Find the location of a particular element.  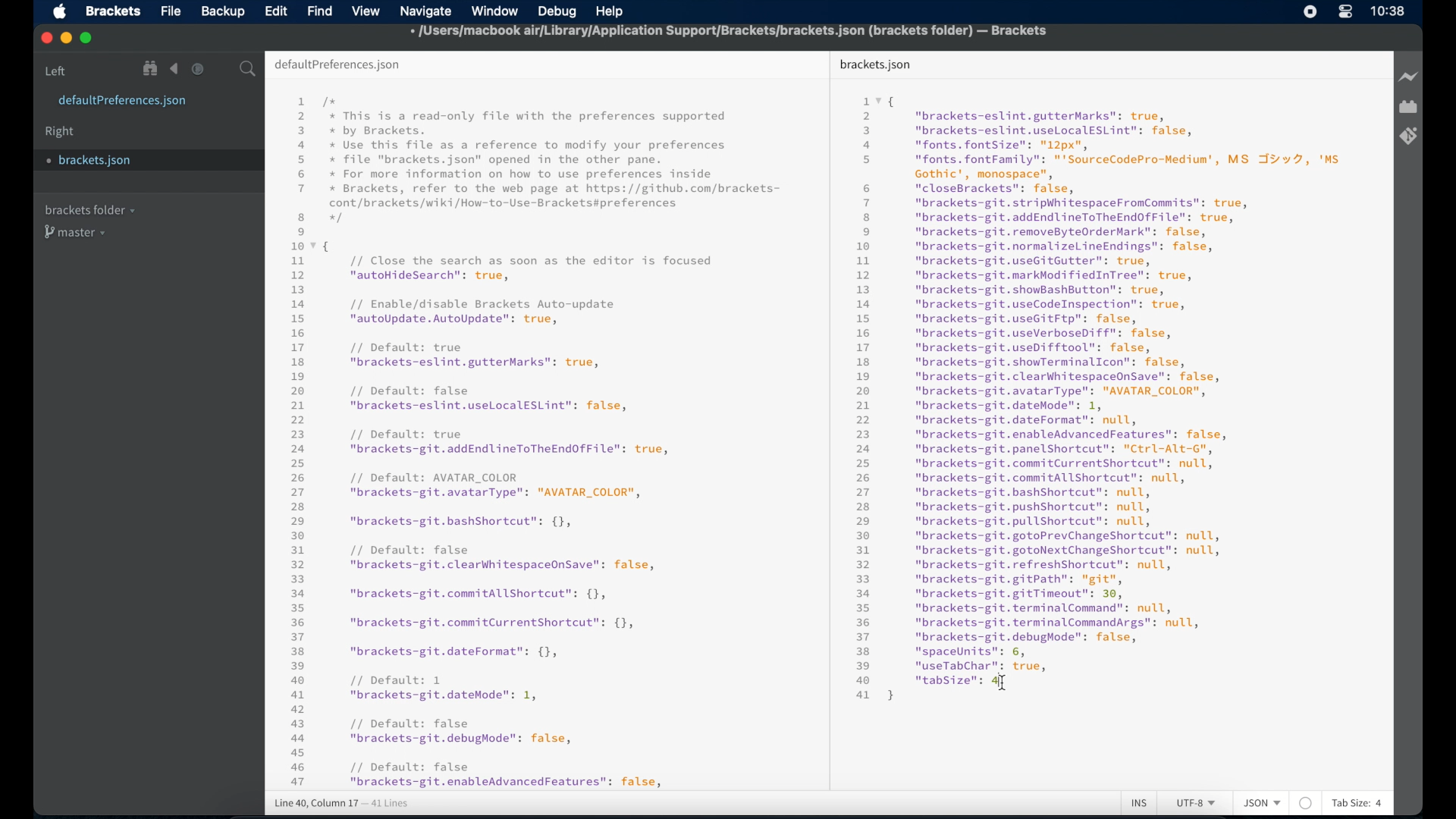

view is located at coordinates (366, 11).